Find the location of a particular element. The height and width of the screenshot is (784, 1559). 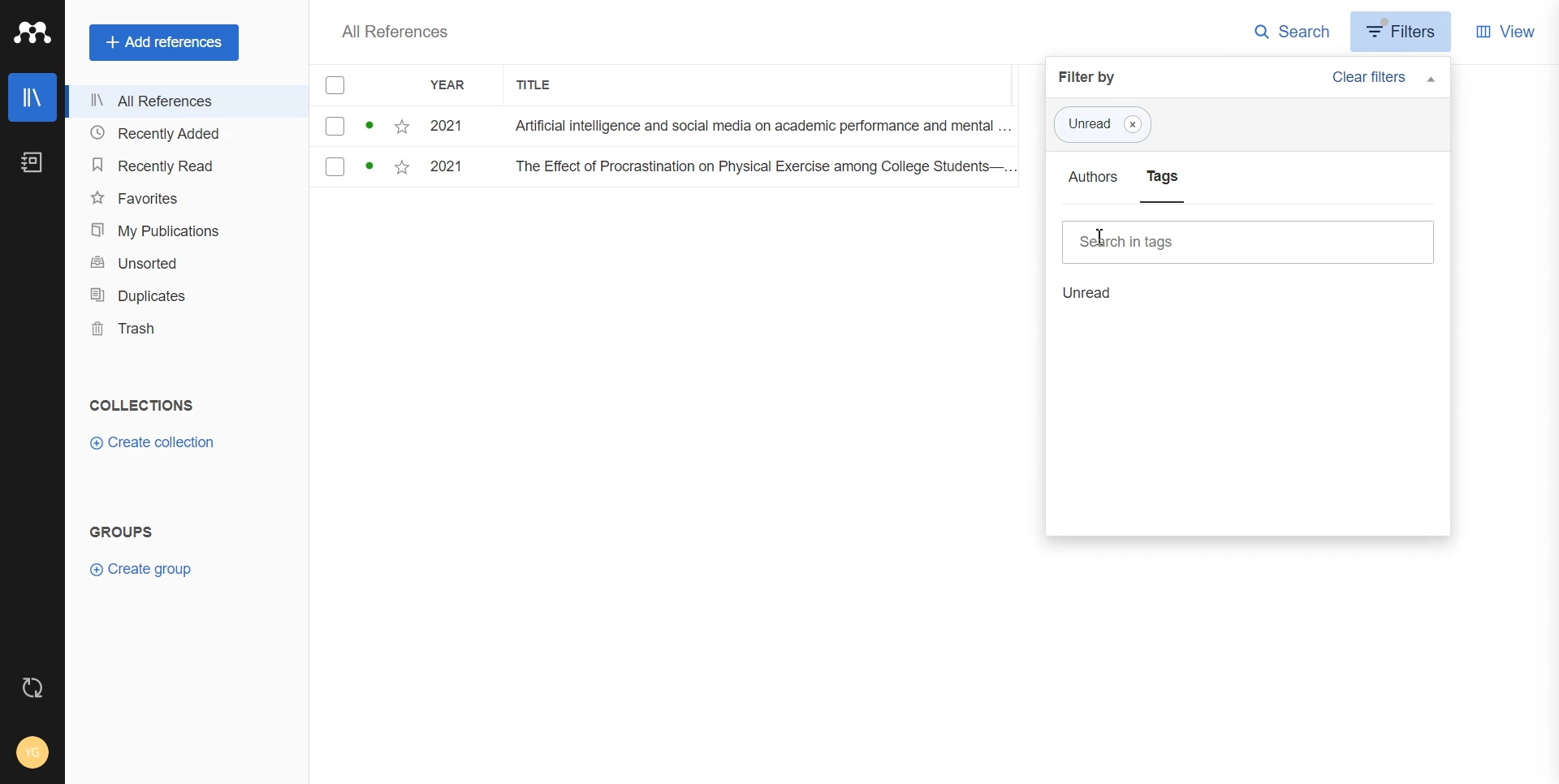

Account is located at coordinates (32, 752).